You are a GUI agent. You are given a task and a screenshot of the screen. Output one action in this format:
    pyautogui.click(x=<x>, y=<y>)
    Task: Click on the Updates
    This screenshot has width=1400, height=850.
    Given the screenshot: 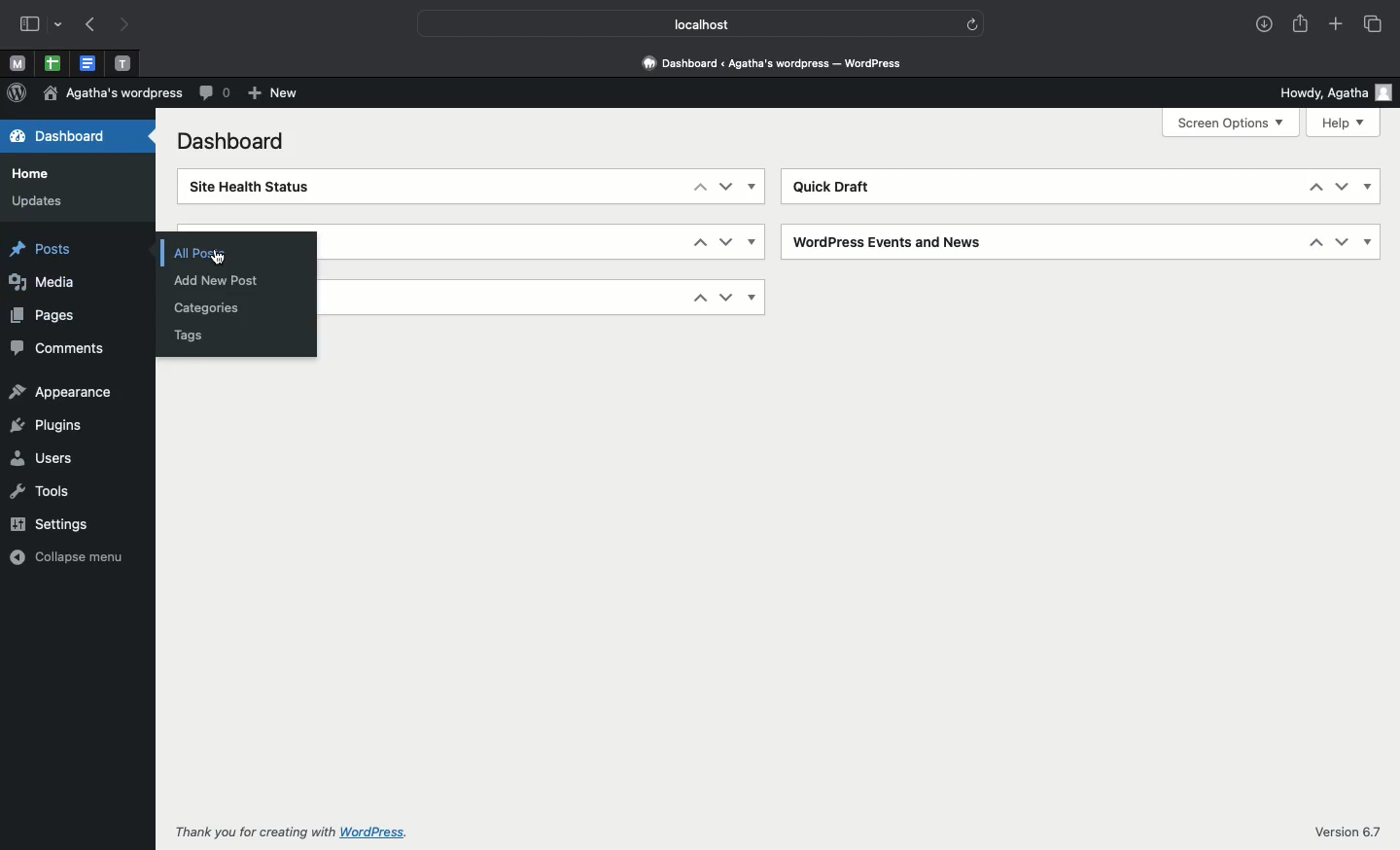 What is the action you would take?
    pyautogui.click(x=35, y=200)
    